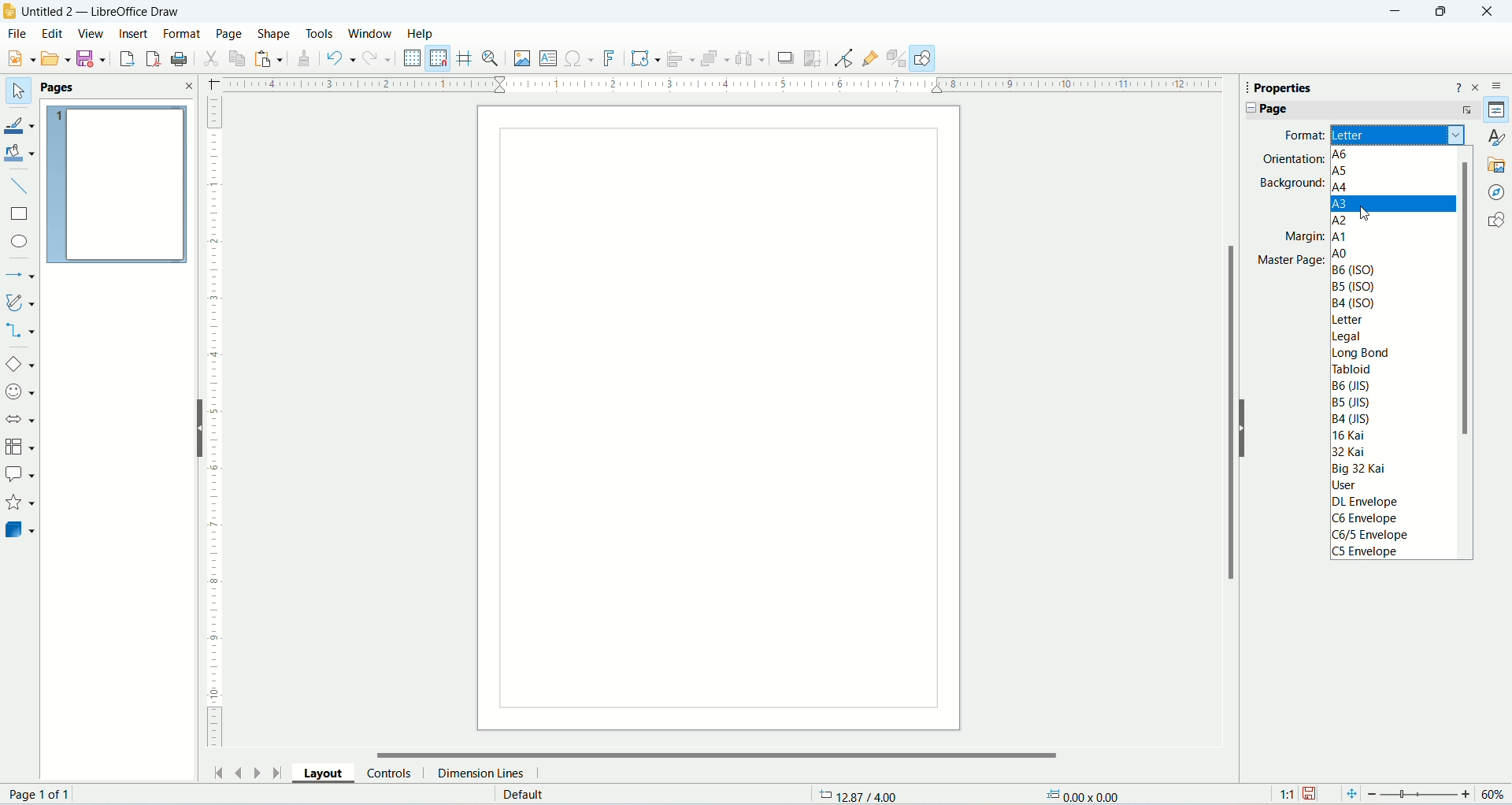 The width and height of the screenshot is (1512, 805). I want to click on export directly as PDF, so click(156, 58).